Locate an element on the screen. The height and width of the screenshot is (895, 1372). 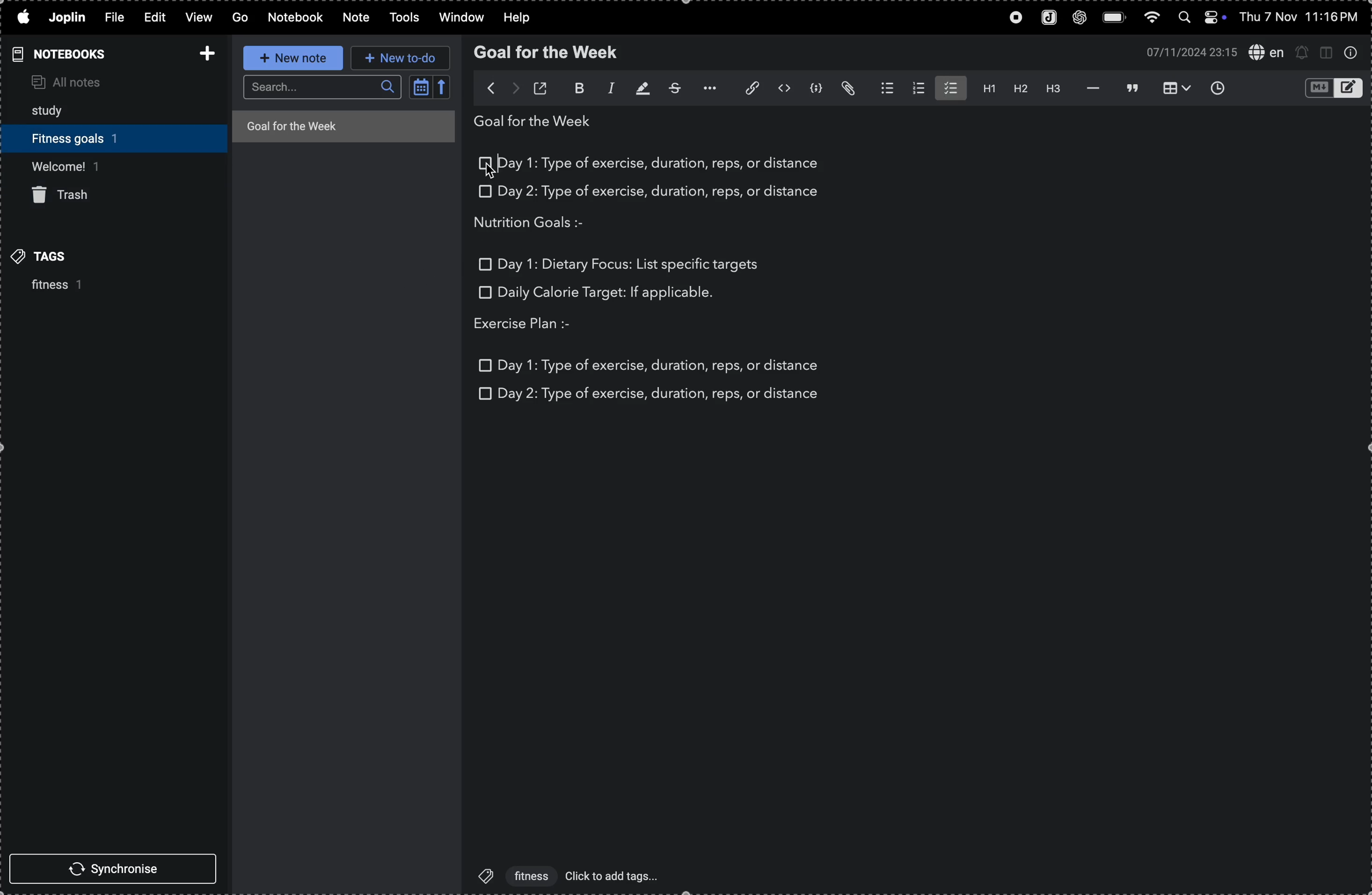
options is located at coordinates (706, 88).